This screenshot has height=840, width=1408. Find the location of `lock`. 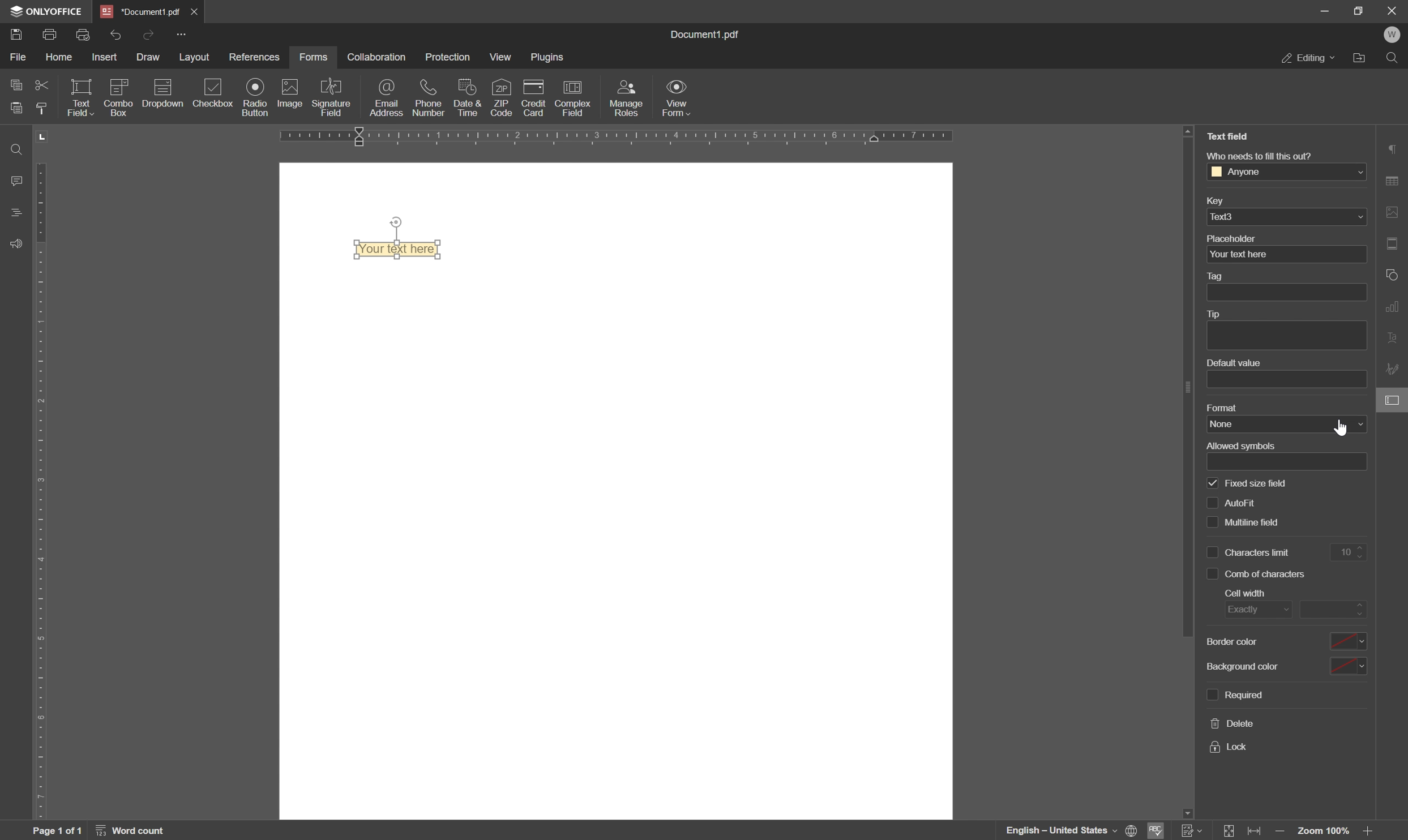

lock is located at coordinates (1227, 747).